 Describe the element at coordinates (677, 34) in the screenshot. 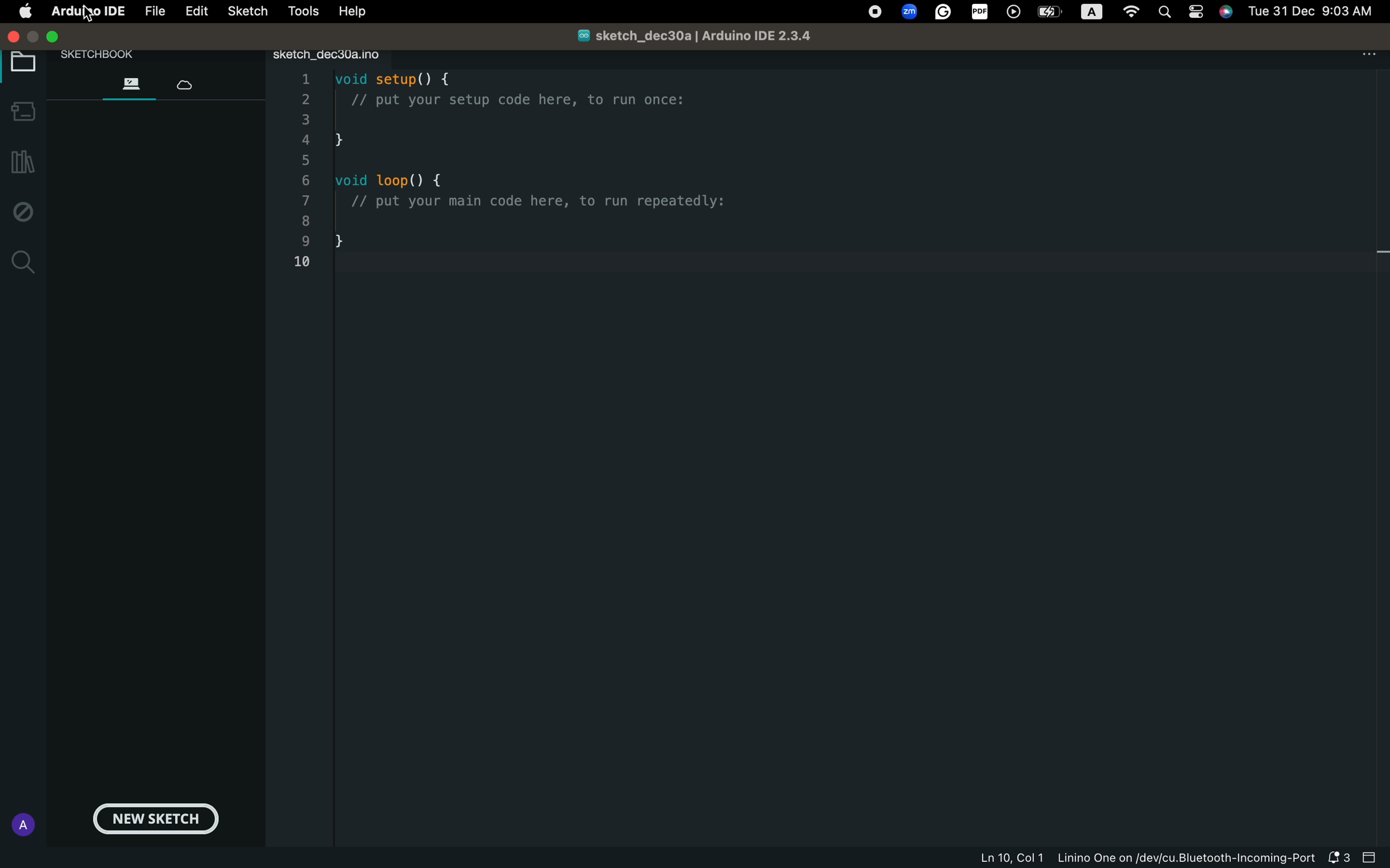

I see `file name` at that location.